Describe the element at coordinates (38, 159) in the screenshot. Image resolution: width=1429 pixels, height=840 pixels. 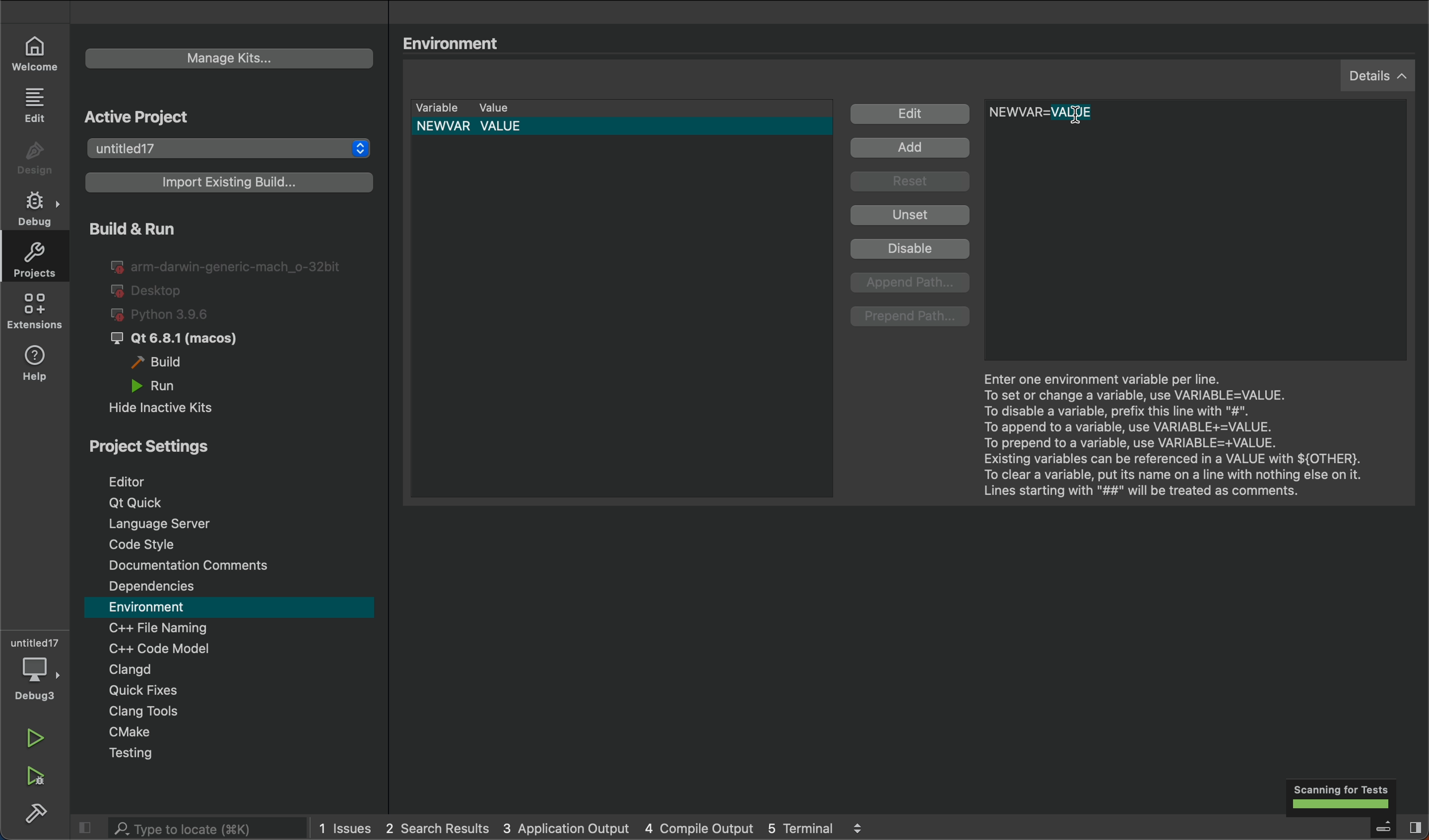
I see `design` at that location.